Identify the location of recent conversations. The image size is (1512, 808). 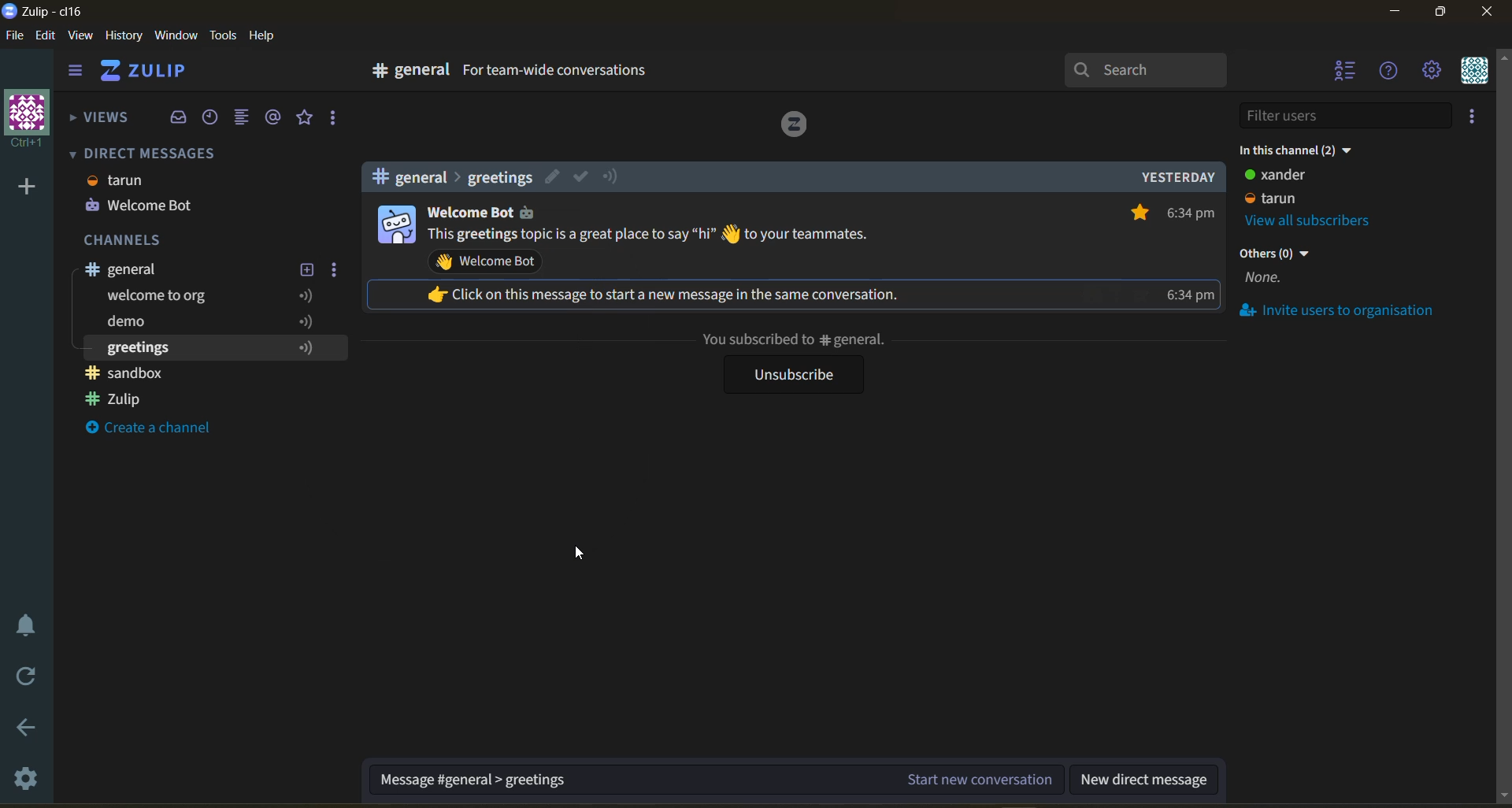
(216, 118).